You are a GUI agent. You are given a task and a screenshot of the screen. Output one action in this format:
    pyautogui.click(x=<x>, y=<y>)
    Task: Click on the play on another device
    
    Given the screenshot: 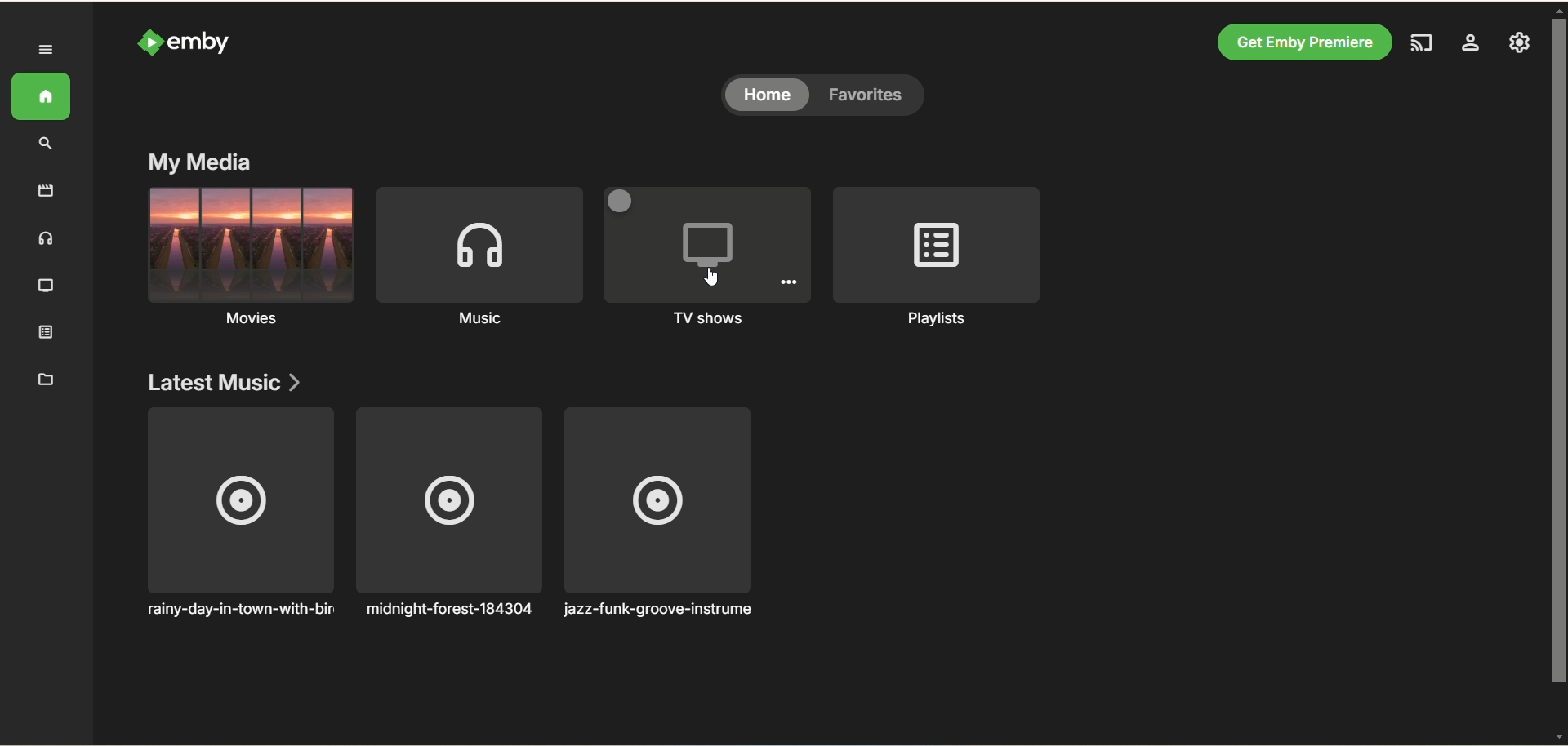 What is the action you would take?
    pyautogui.click(x=1420, y=42)
    